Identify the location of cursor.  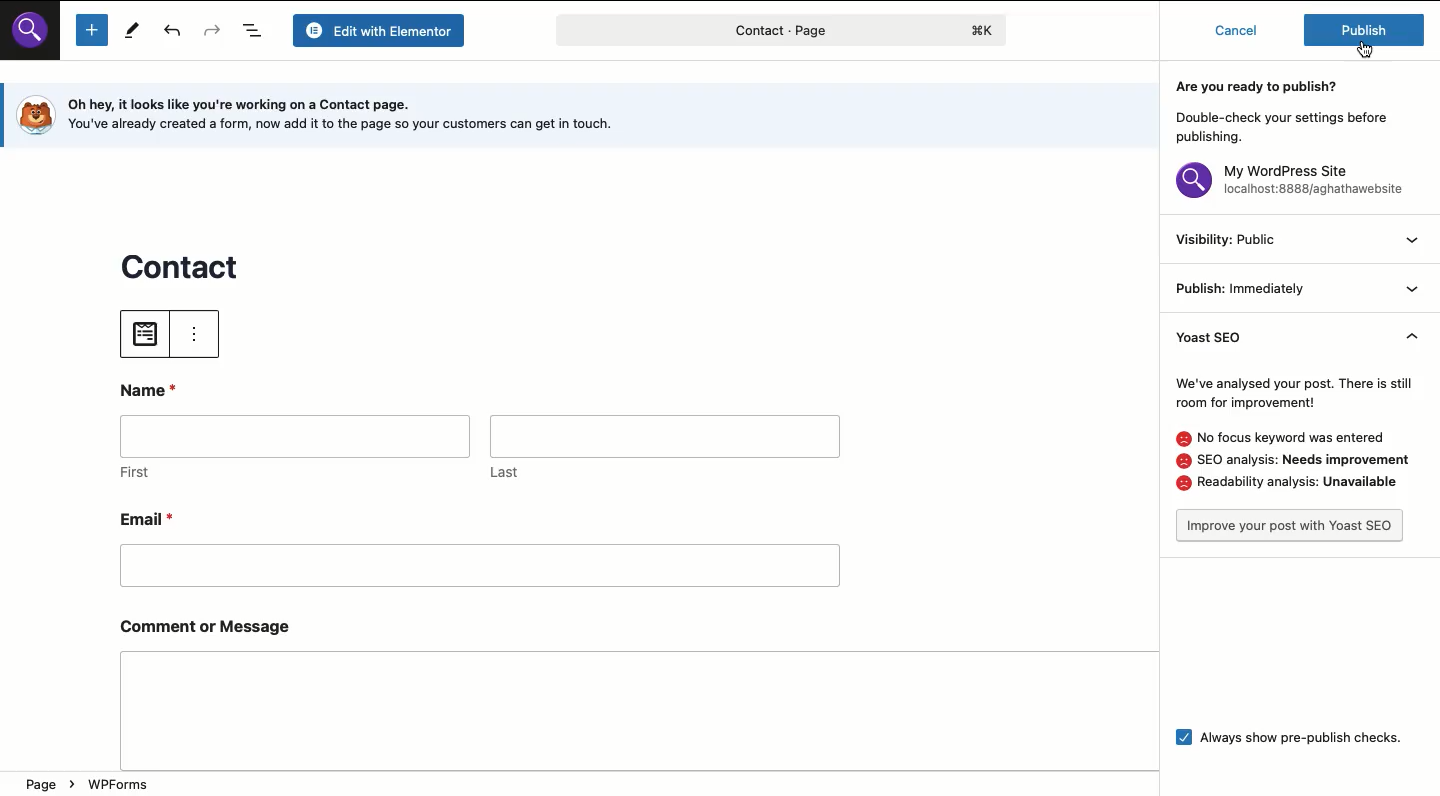
(1374, 46).